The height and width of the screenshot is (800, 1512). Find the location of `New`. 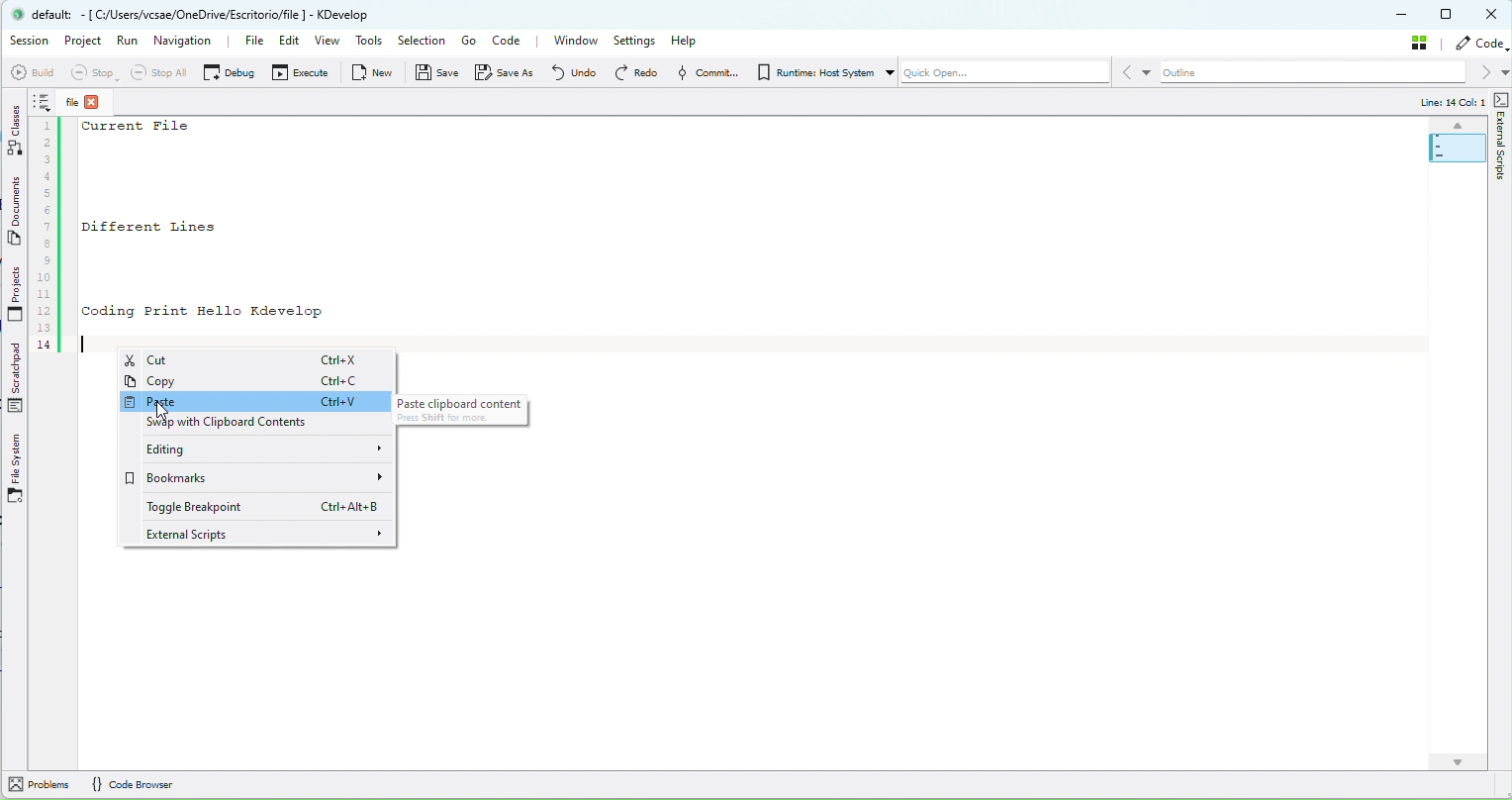

New is located at coordinates (376, 72).